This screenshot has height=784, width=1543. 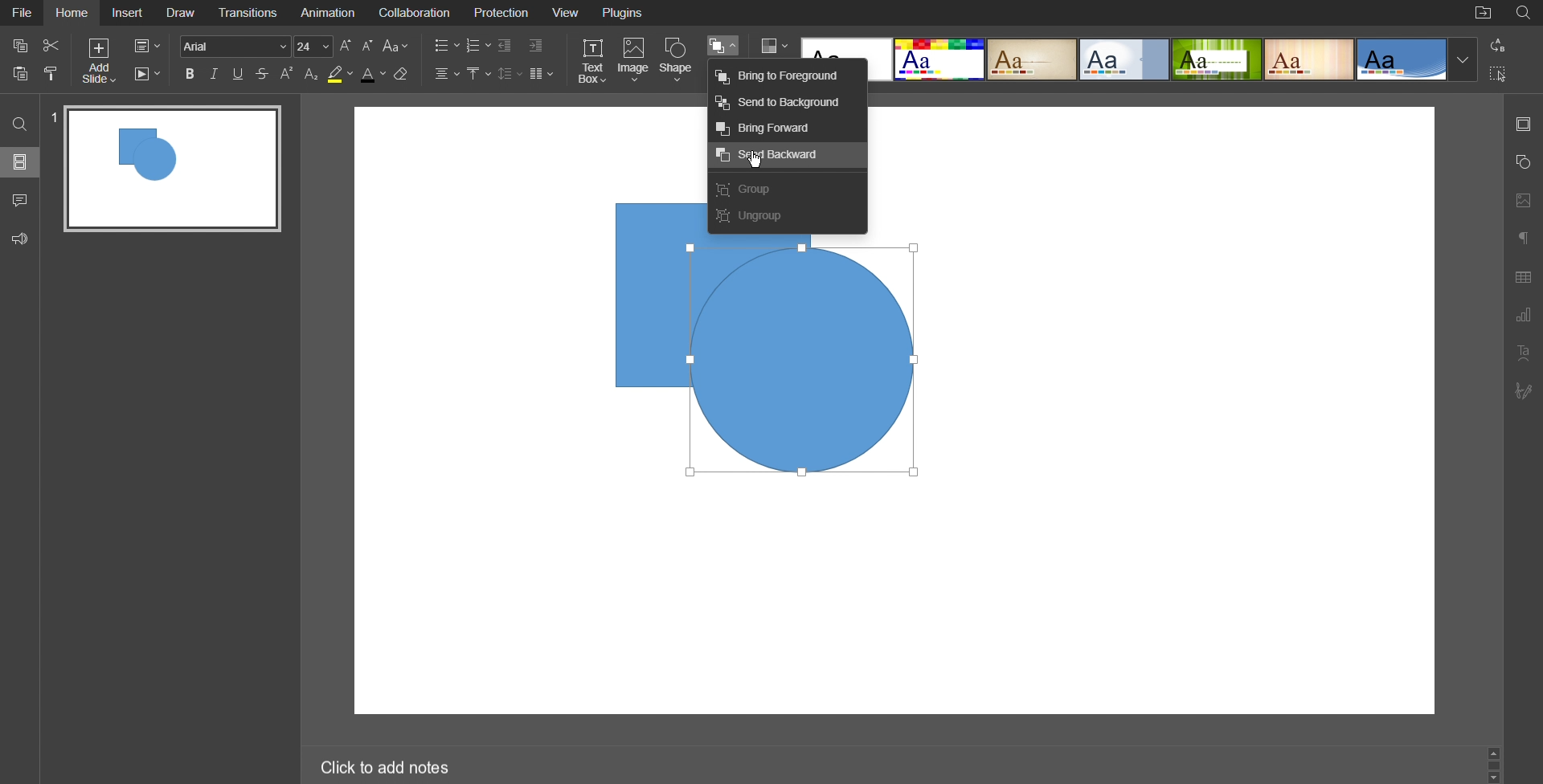 I want to click on Paste, so click(x=18, y=76).